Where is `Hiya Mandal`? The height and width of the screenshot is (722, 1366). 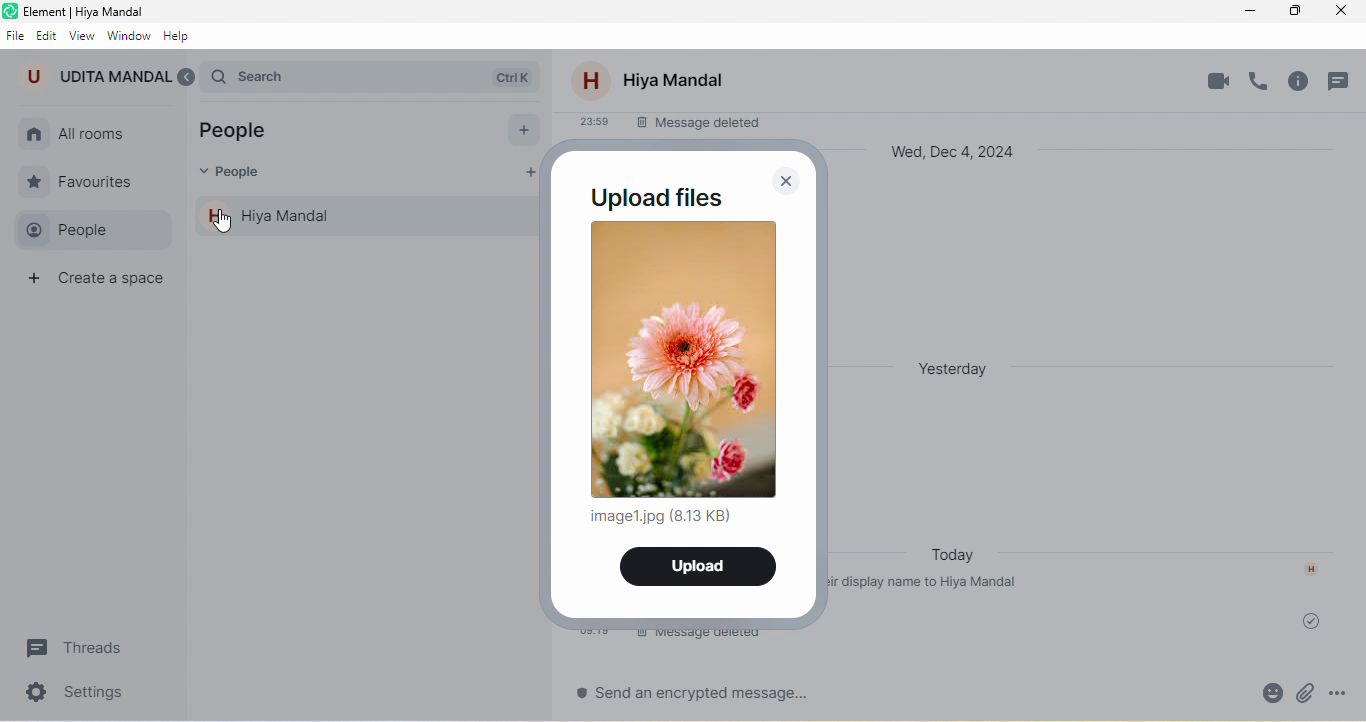 Hiya Mandal is located at coordinates (674, 80).